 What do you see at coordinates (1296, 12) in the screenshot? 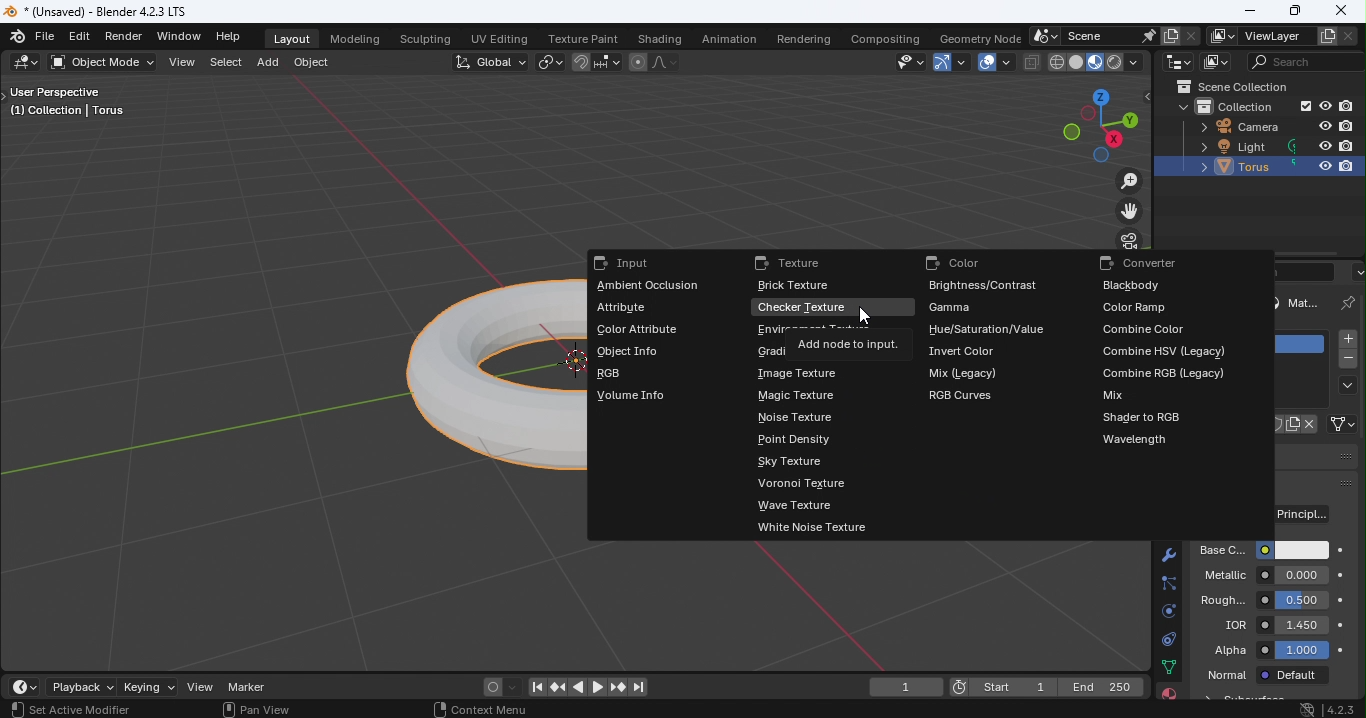
I see `Maximize` at bounding box center [1296, 12].